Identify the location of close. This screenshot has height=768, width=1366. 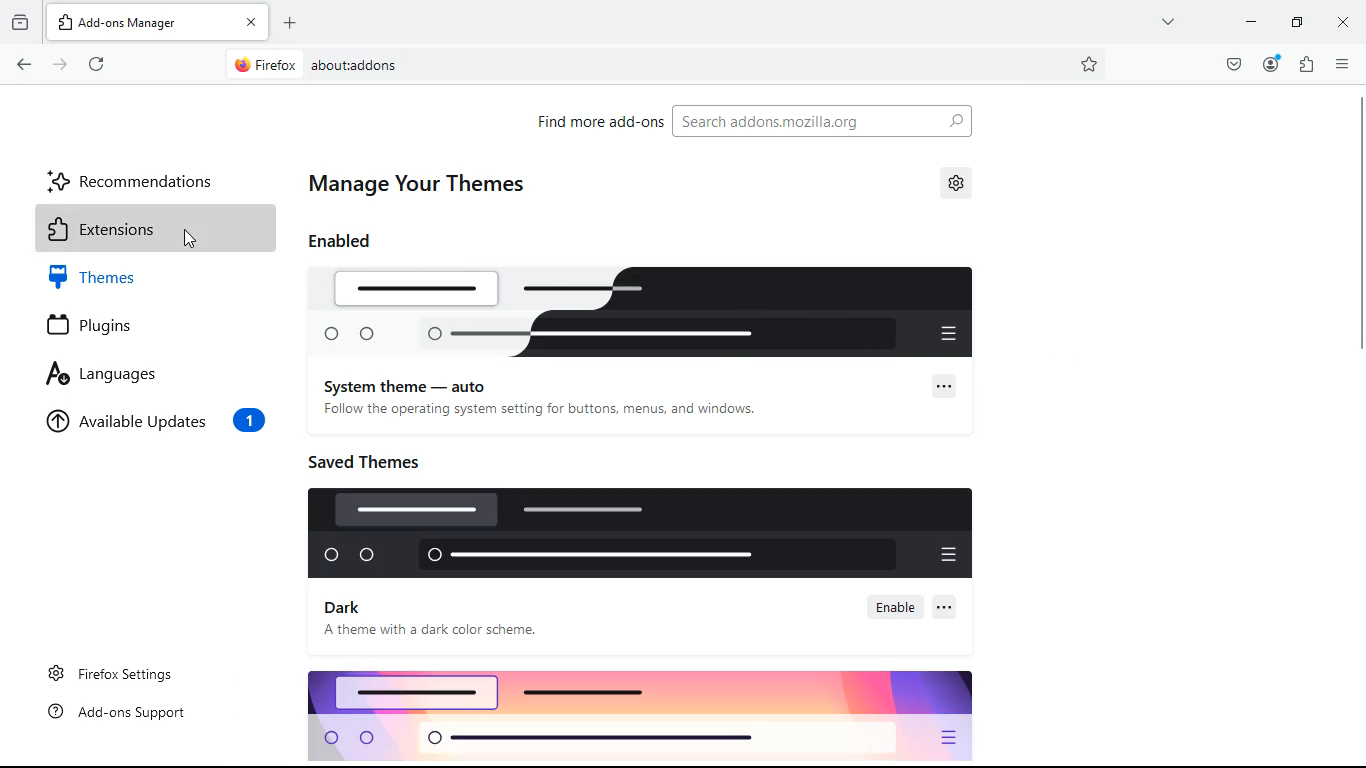
(1348, 21).